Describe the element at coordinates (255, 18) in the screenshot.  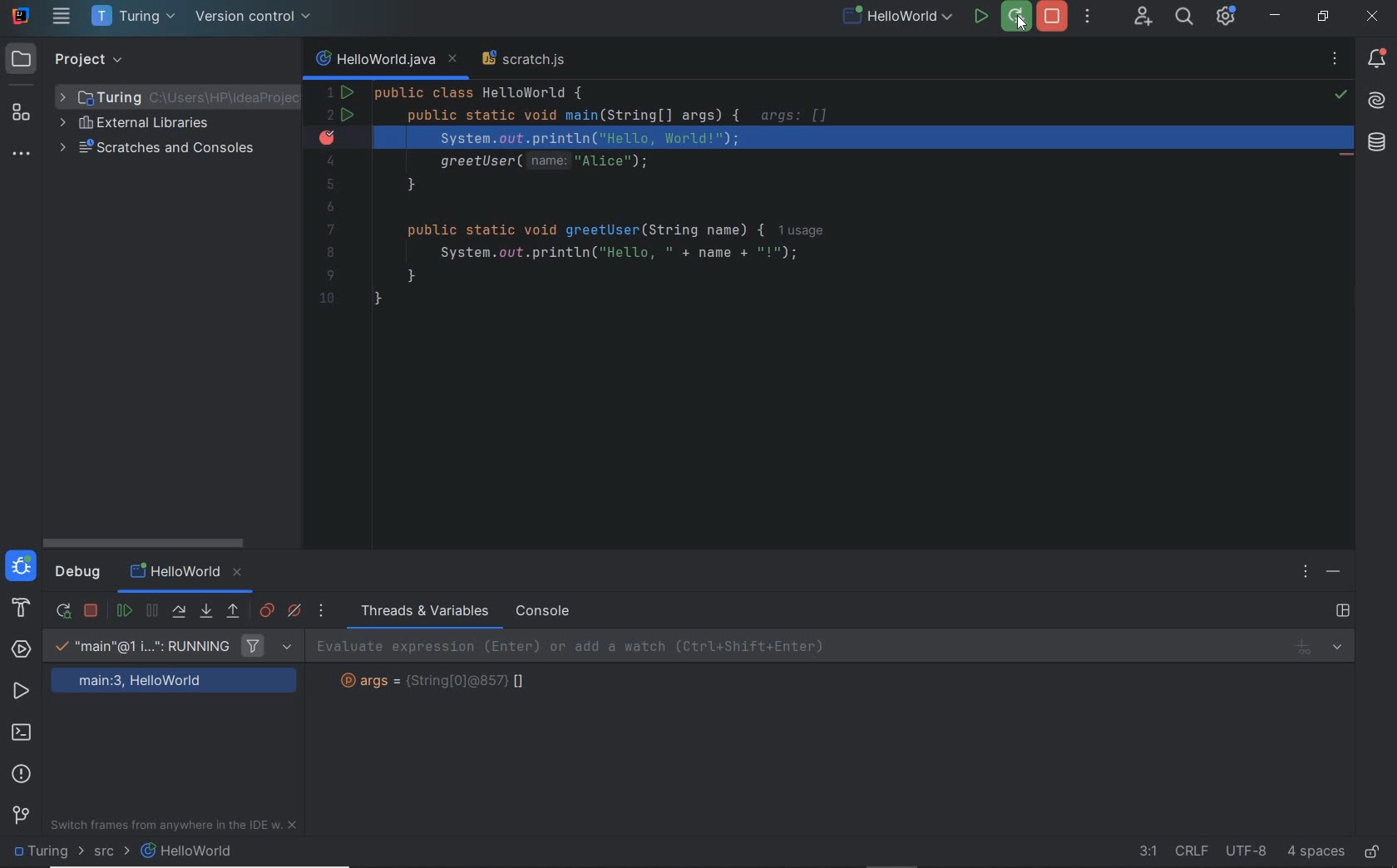
I see `version control` at that location.